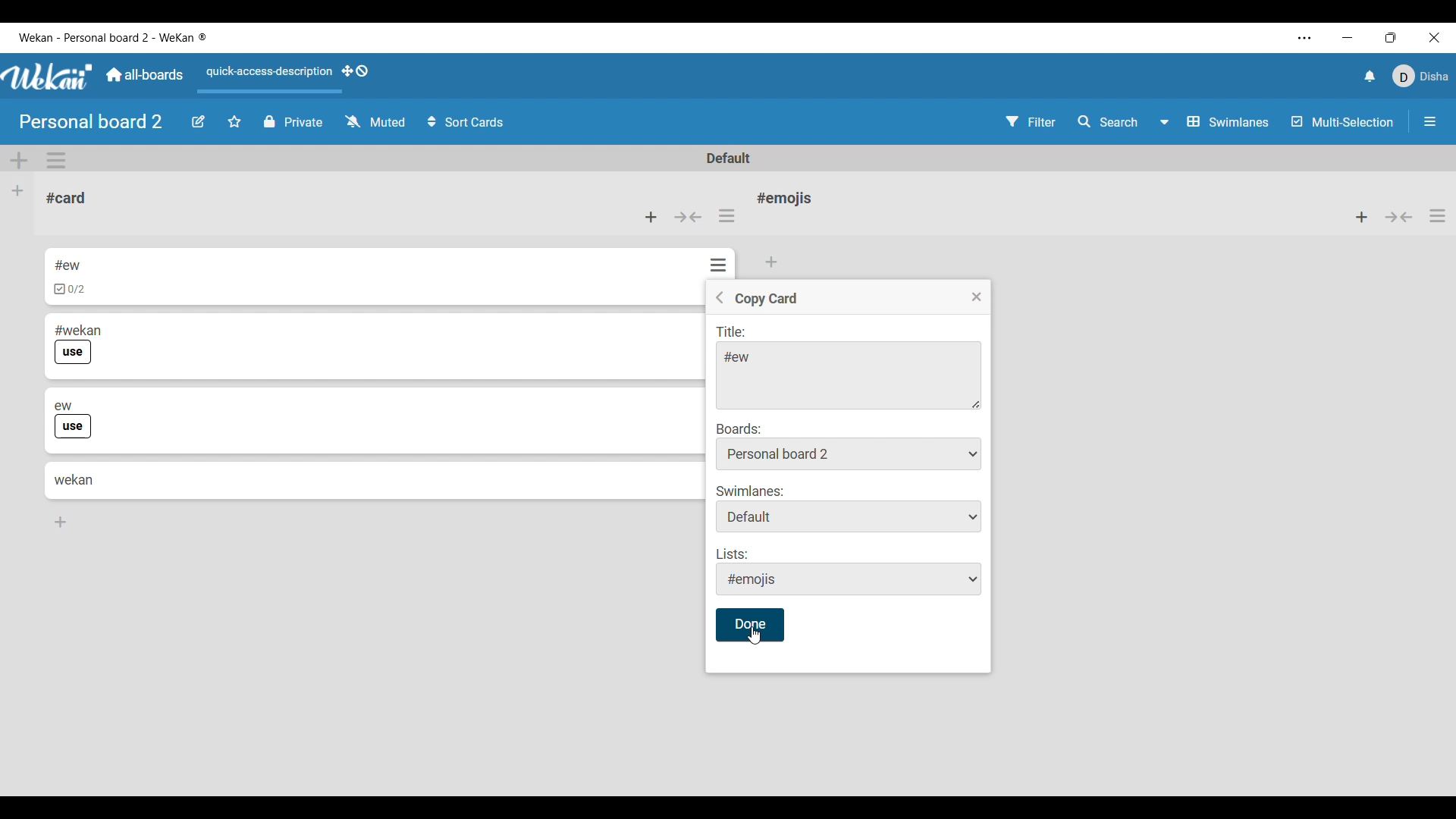 Image resolution: width=1456 pixels, height=819 pixels. I want to click on Add, so click(773, 260).